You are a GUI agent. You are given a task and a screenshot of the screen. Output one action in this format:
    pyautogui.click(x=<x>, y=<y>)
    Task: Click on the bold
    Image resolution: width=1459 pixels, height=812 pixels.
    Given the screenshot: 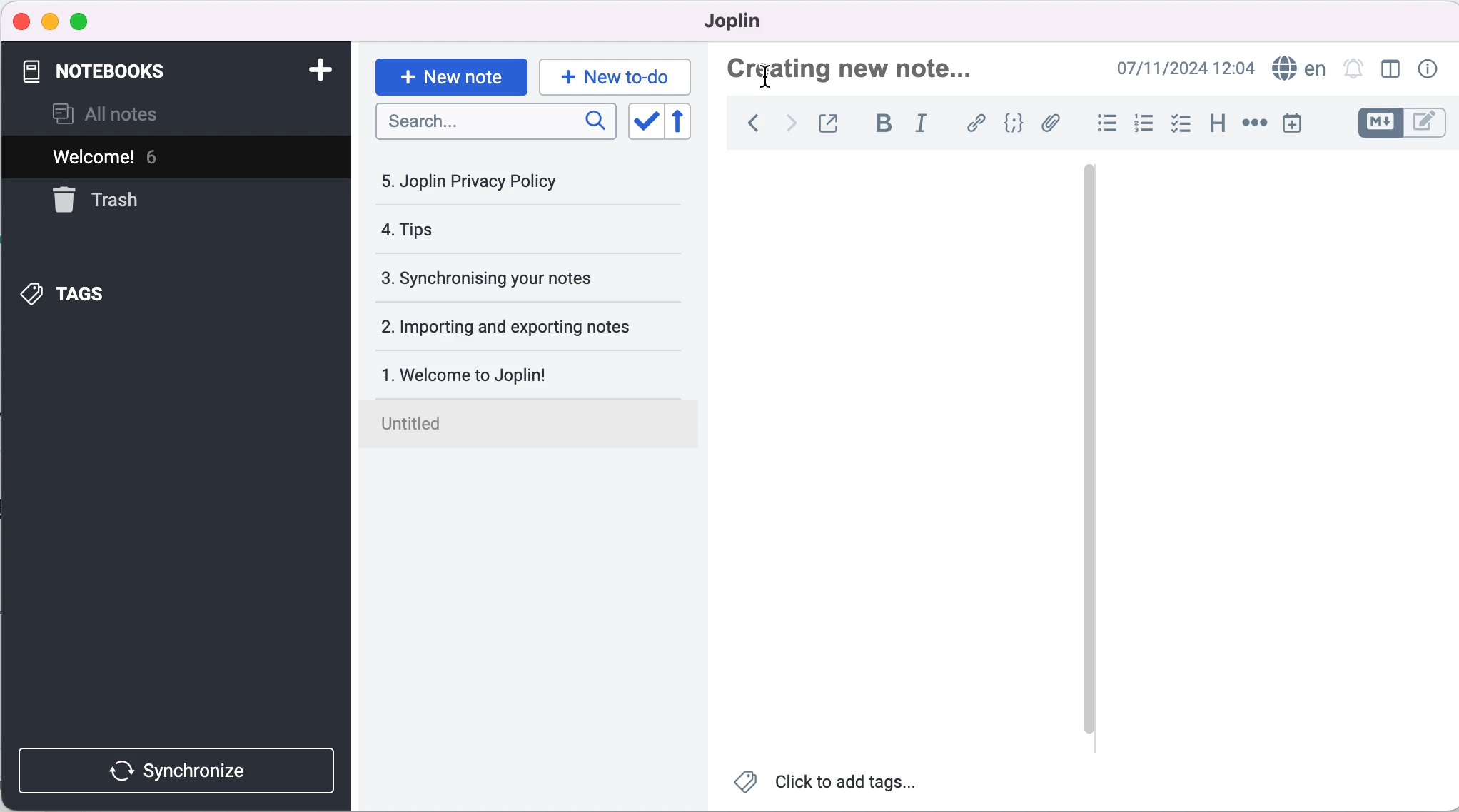 What is the action you would take?
    pyautogui.click(x=884, y=123)
    